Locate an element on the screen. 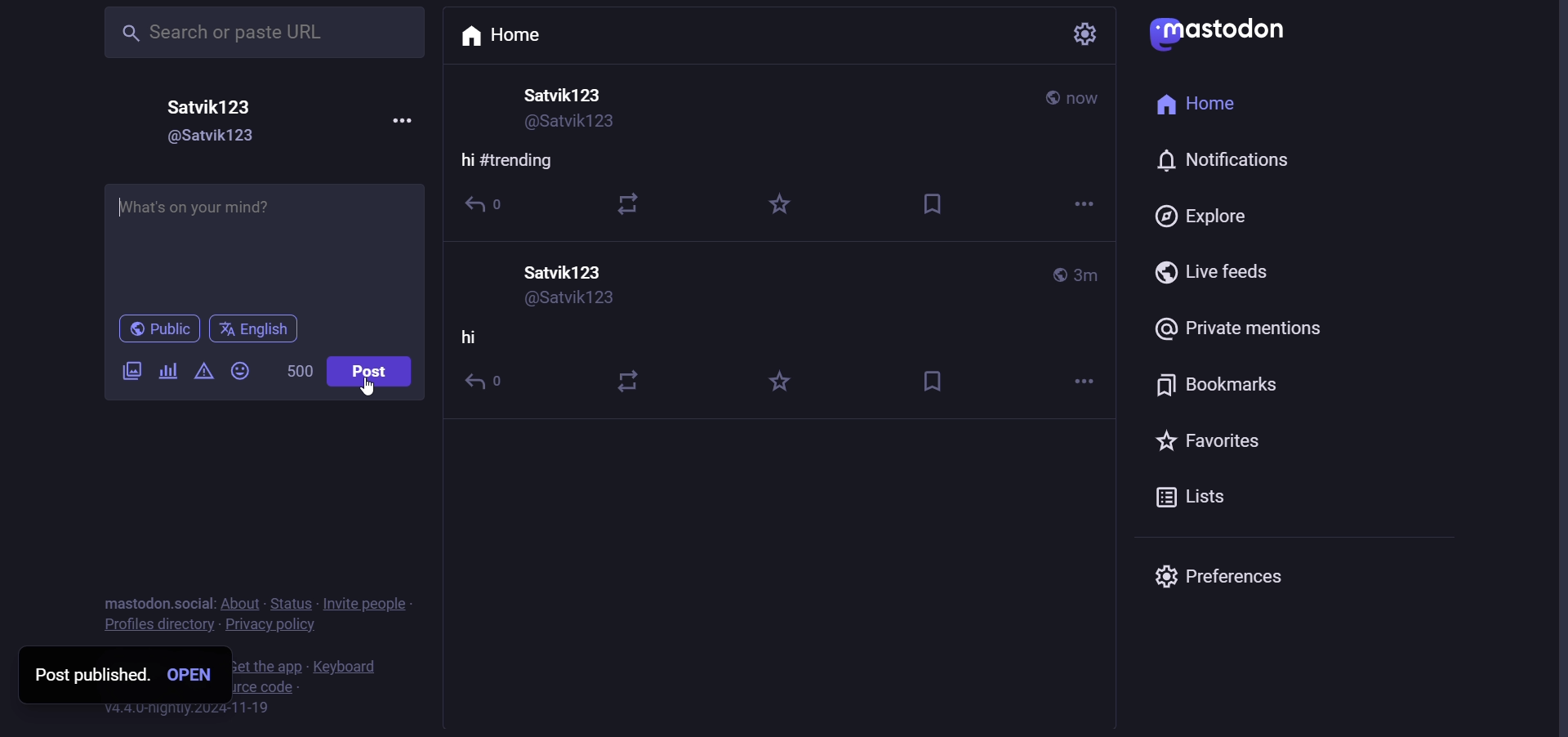 The width and height of the screenshot is (1568, 737). home is located at coordinates (1196, 105).